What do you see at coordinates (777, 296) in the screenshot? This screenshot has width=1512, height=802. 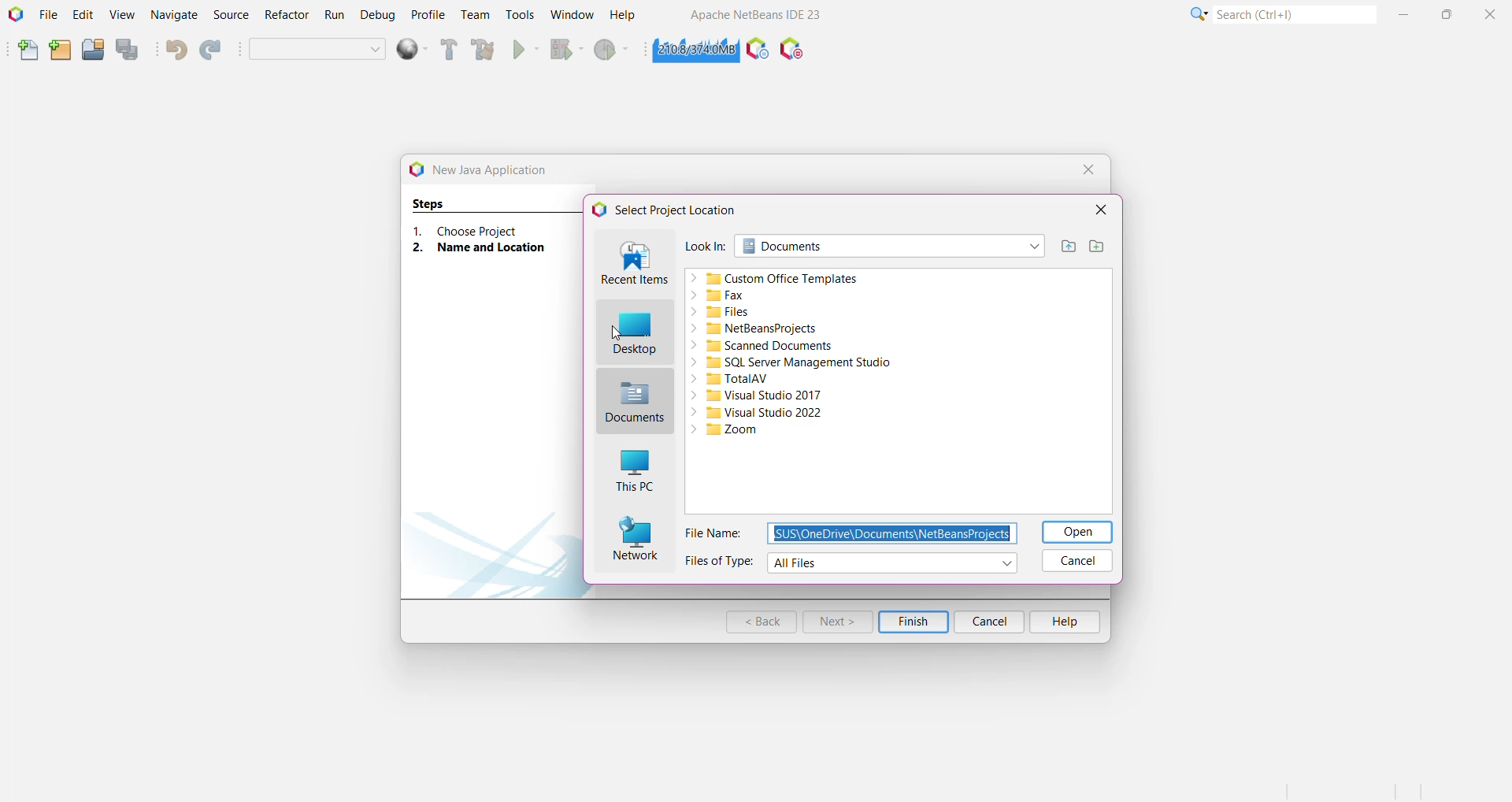 I see `Fax` at bounding box center [777, 296].